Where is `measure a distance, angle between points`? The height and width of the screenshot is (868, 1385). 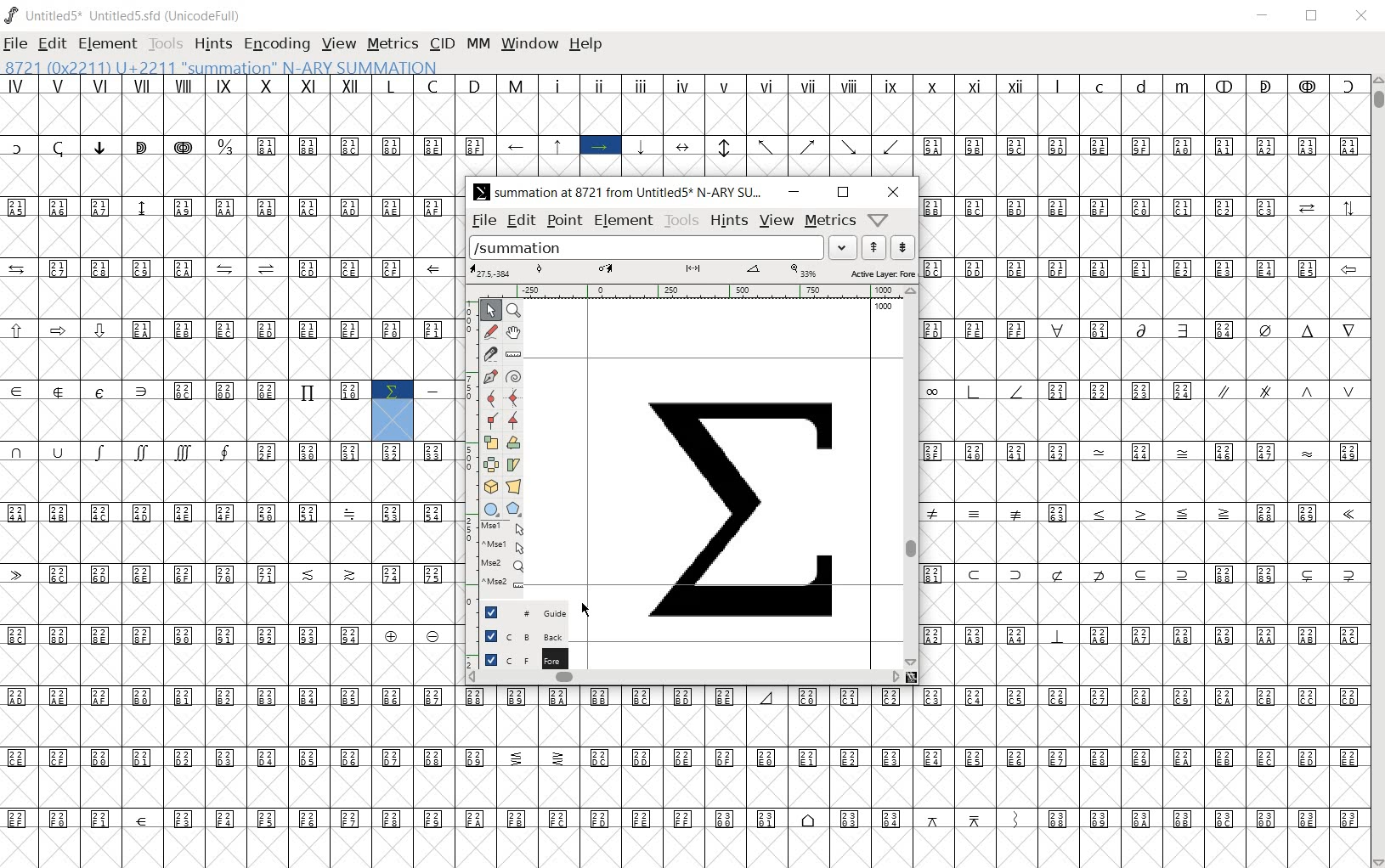 measure a distance, angle between points is located at coordinates (514, 354).